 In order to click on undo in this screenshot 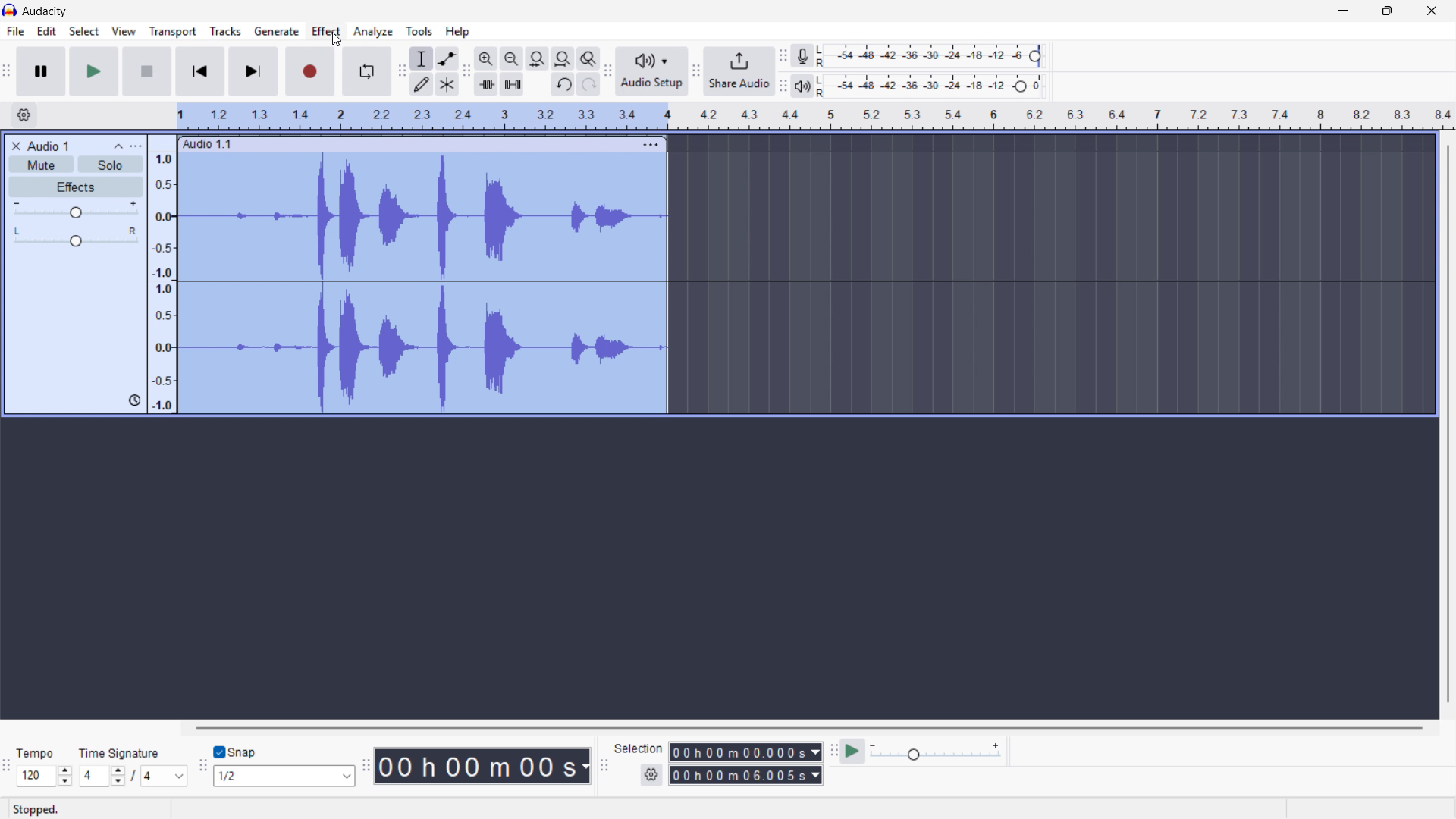, I will do `click(563, 85)`.